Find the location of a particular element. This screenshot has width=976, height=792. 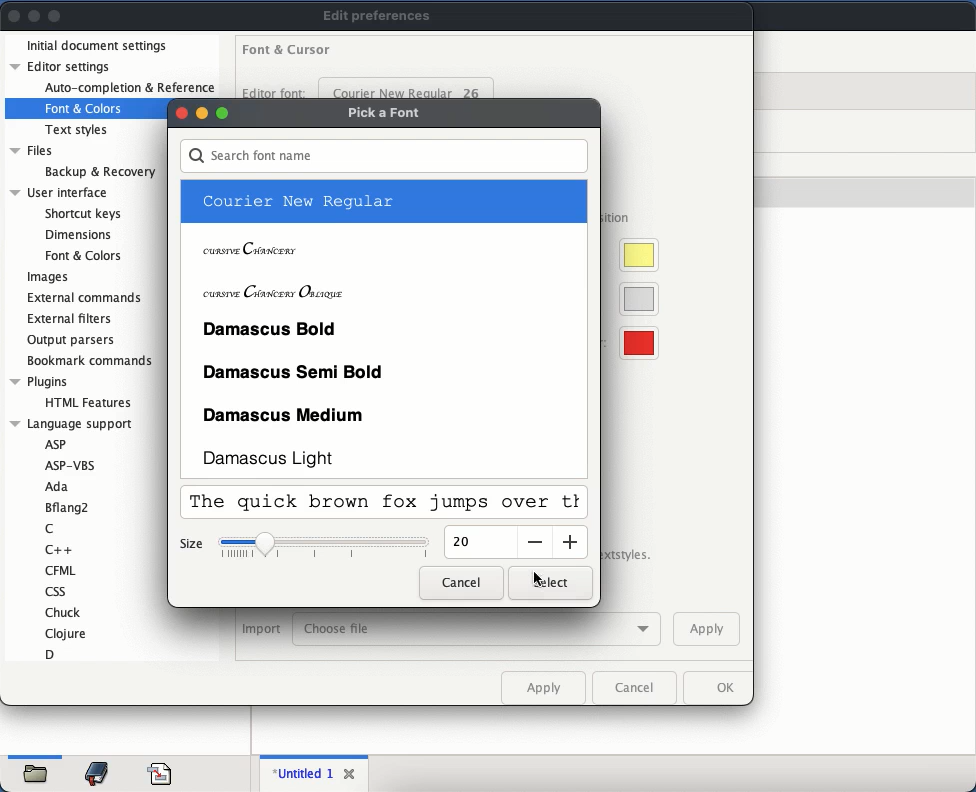

ASP-VBS is located at coordinates (71, 463).